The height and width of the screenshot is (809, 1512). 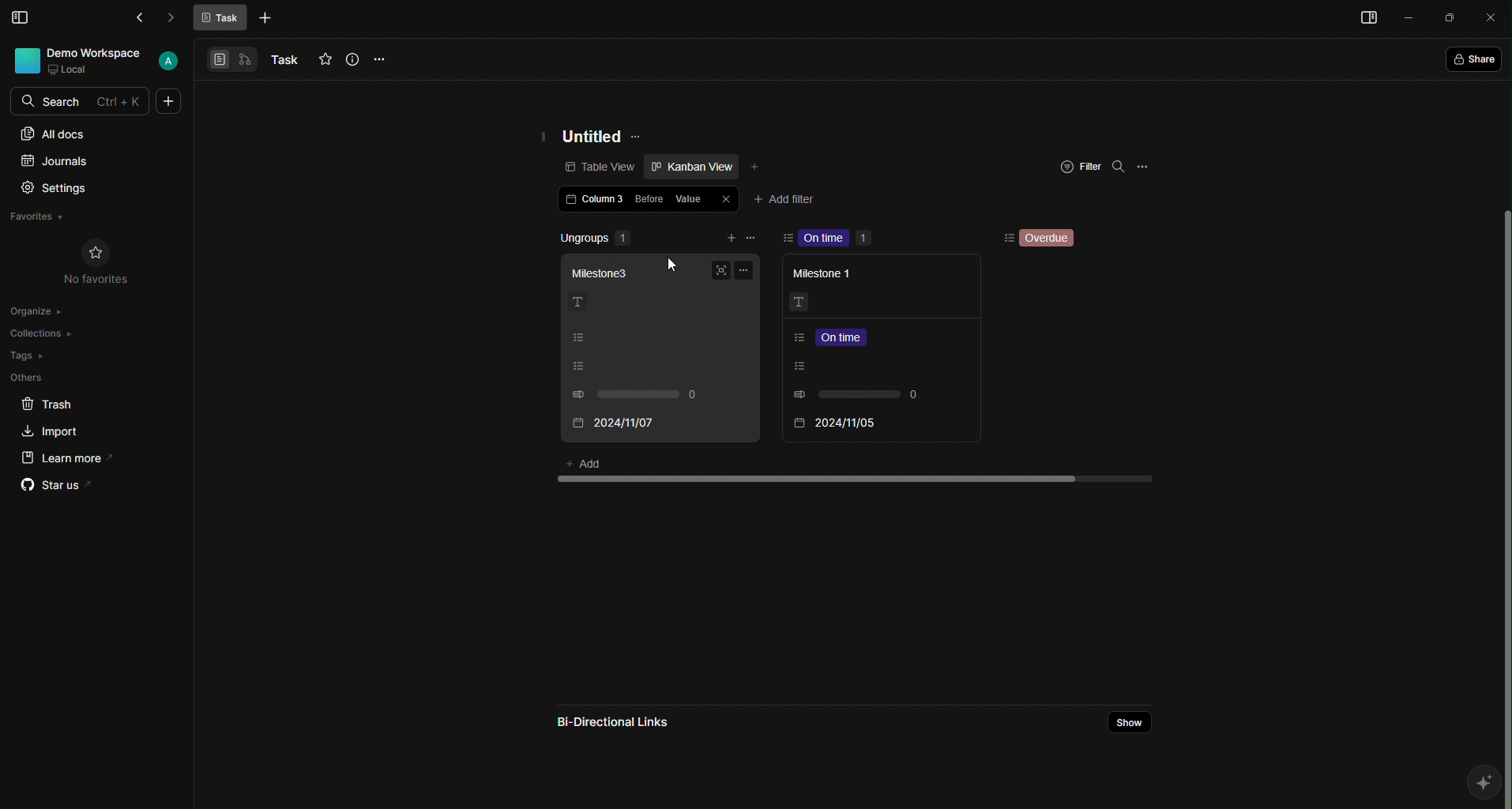 What do you see at coordinates (215, 58) in the screenshot?
I see `View 1` at bounding box center [215, 58].